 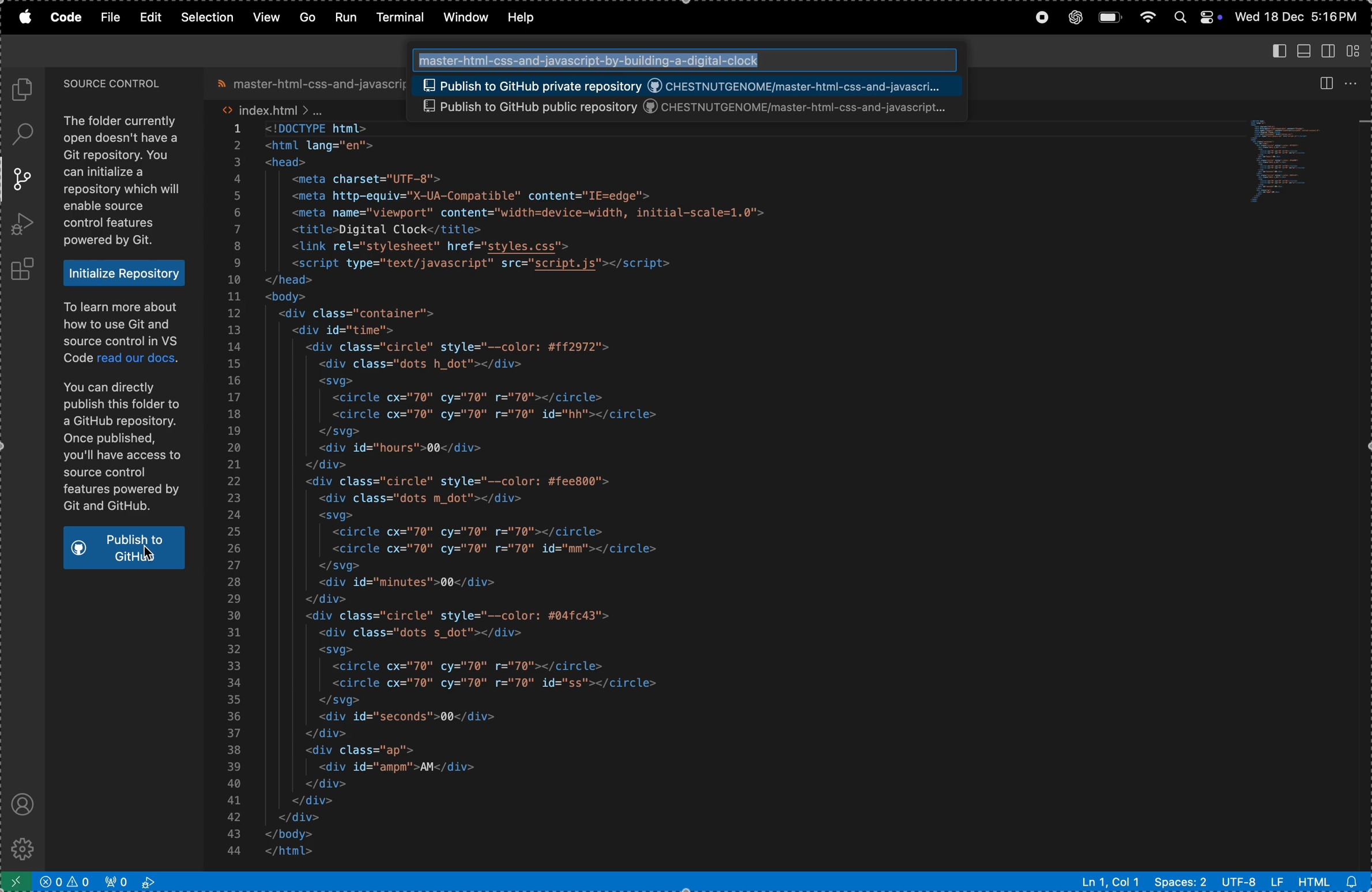 What do you see at coordinates (146, 553) in the screenshot?
I see `Cursor` at bounding box center [146, 553].